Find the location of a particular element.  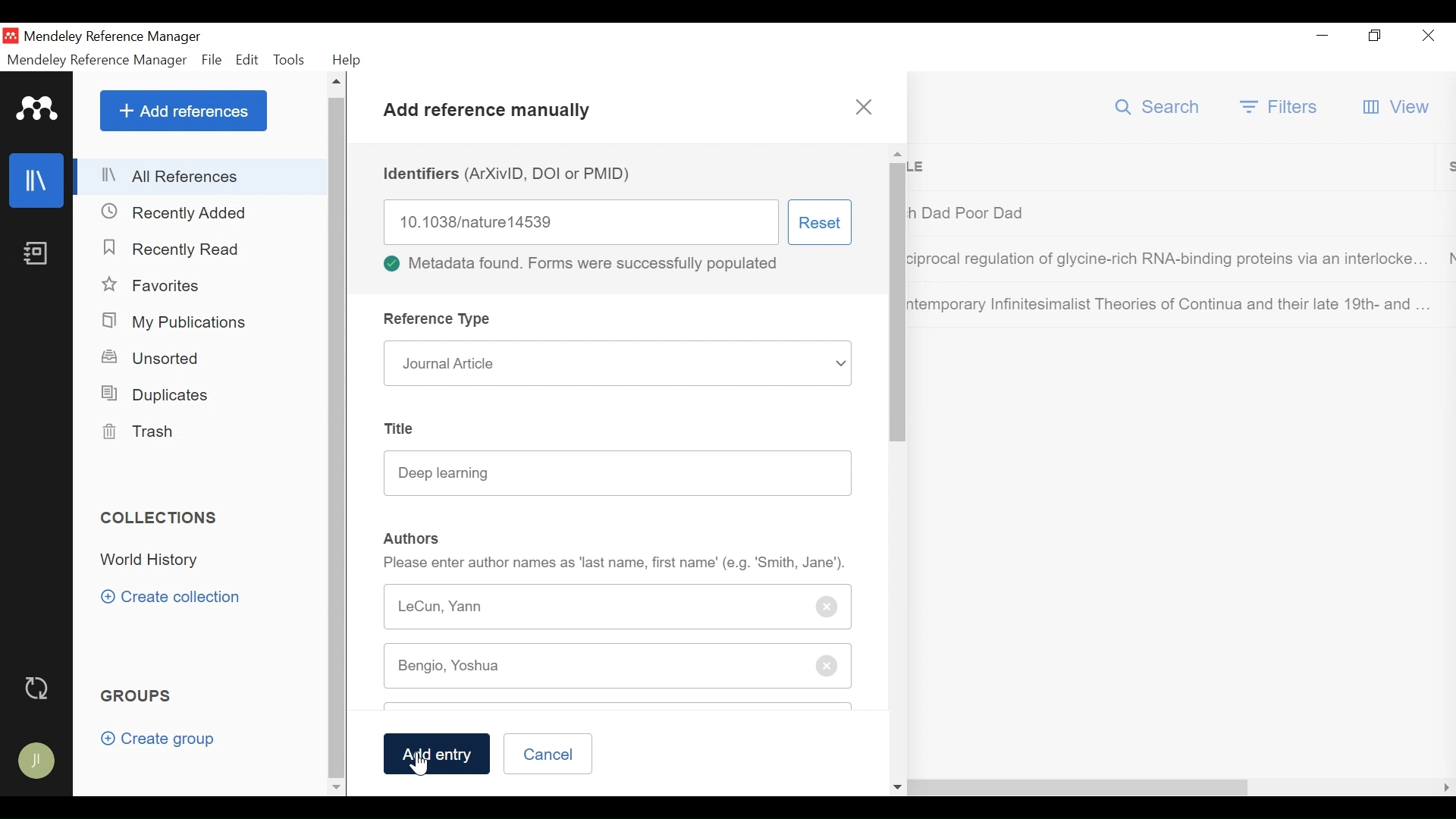

Mendeley Reference Manager is located at coordinates (118, 36).